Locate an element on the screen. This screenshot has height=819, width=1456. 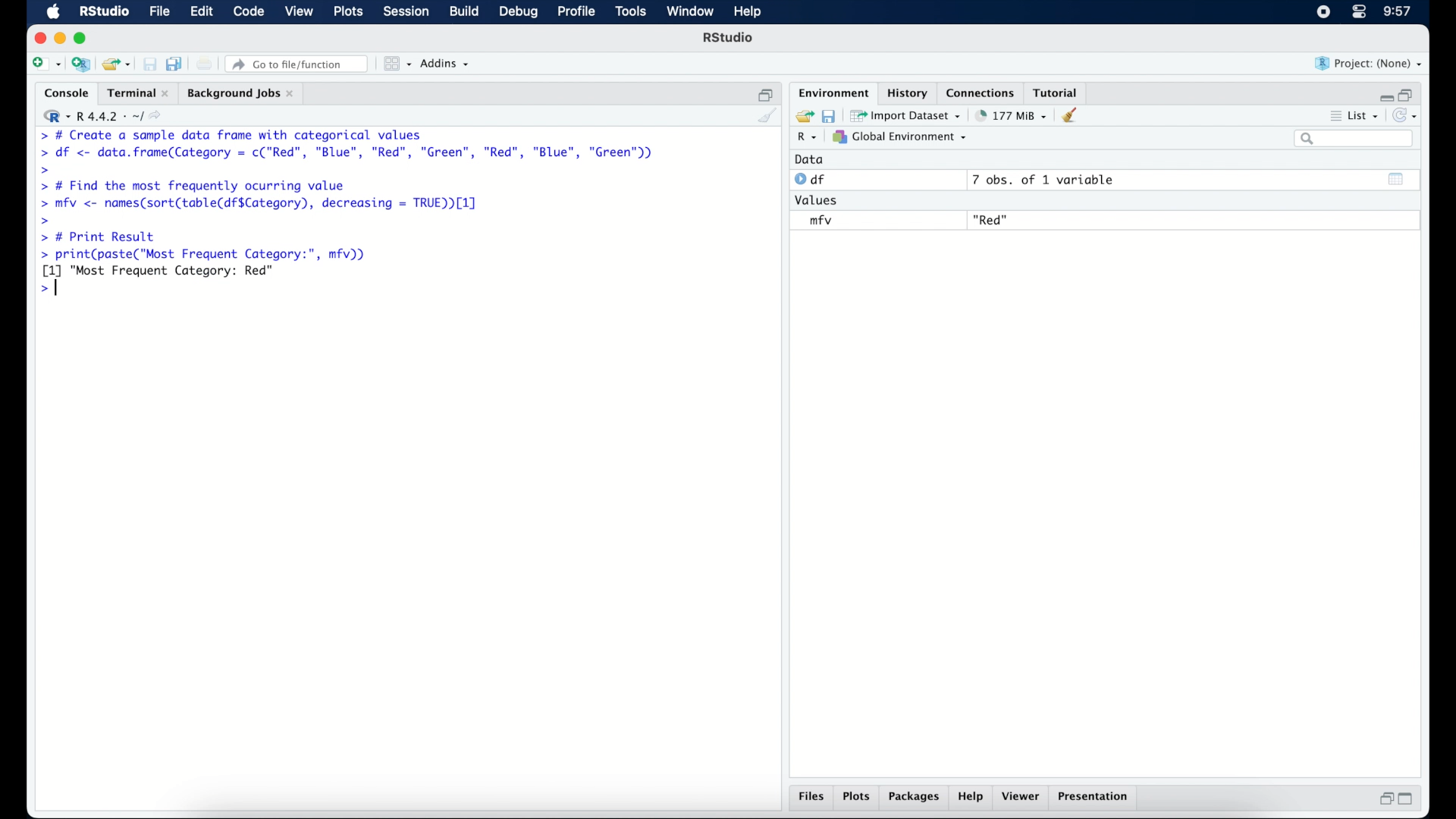
global environment is located at coordinates (905, 137).